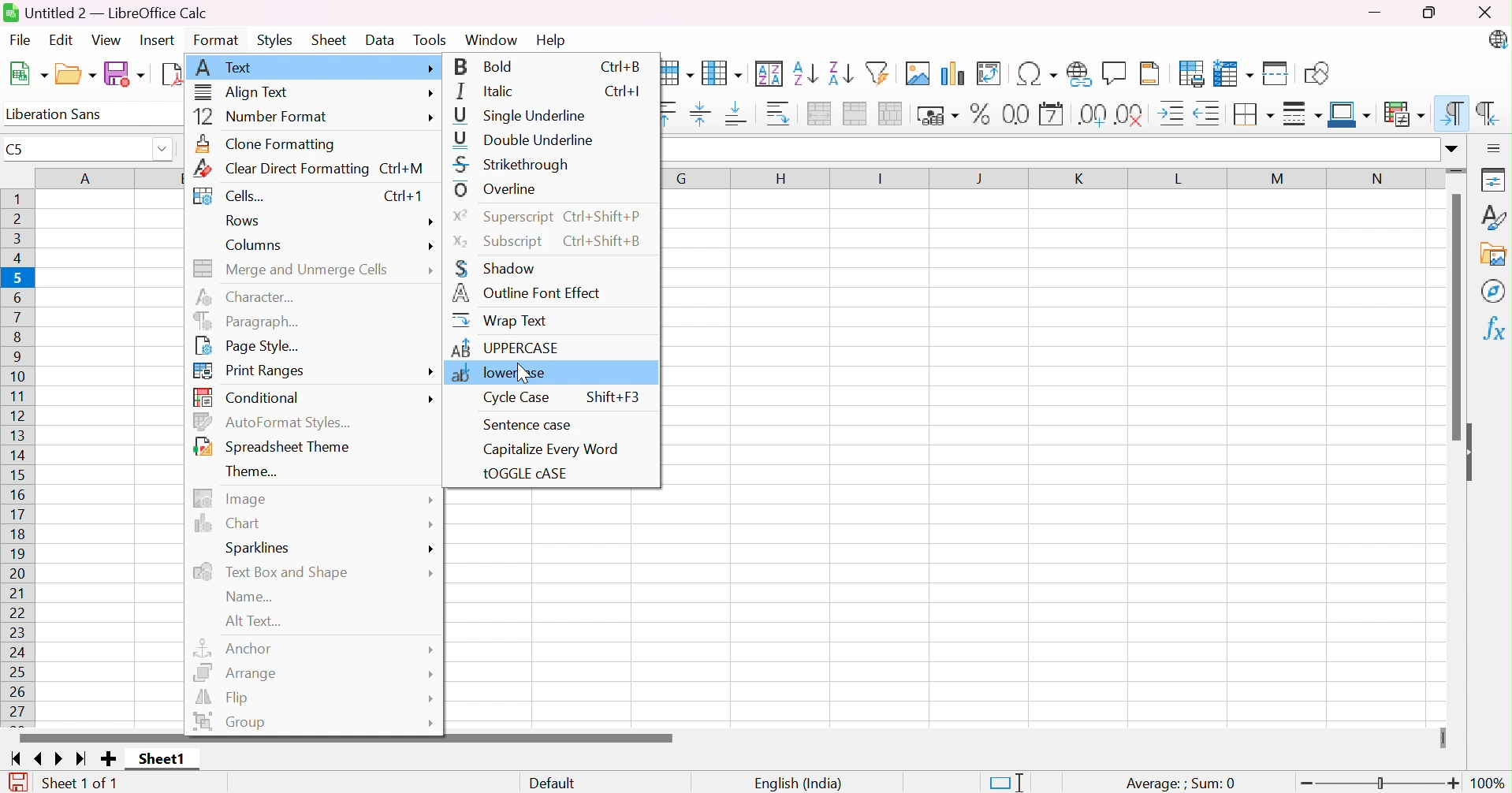 Image resolution: width=1512 pixels, height=793 pixels. I want to click on Character, so click(252, 295).